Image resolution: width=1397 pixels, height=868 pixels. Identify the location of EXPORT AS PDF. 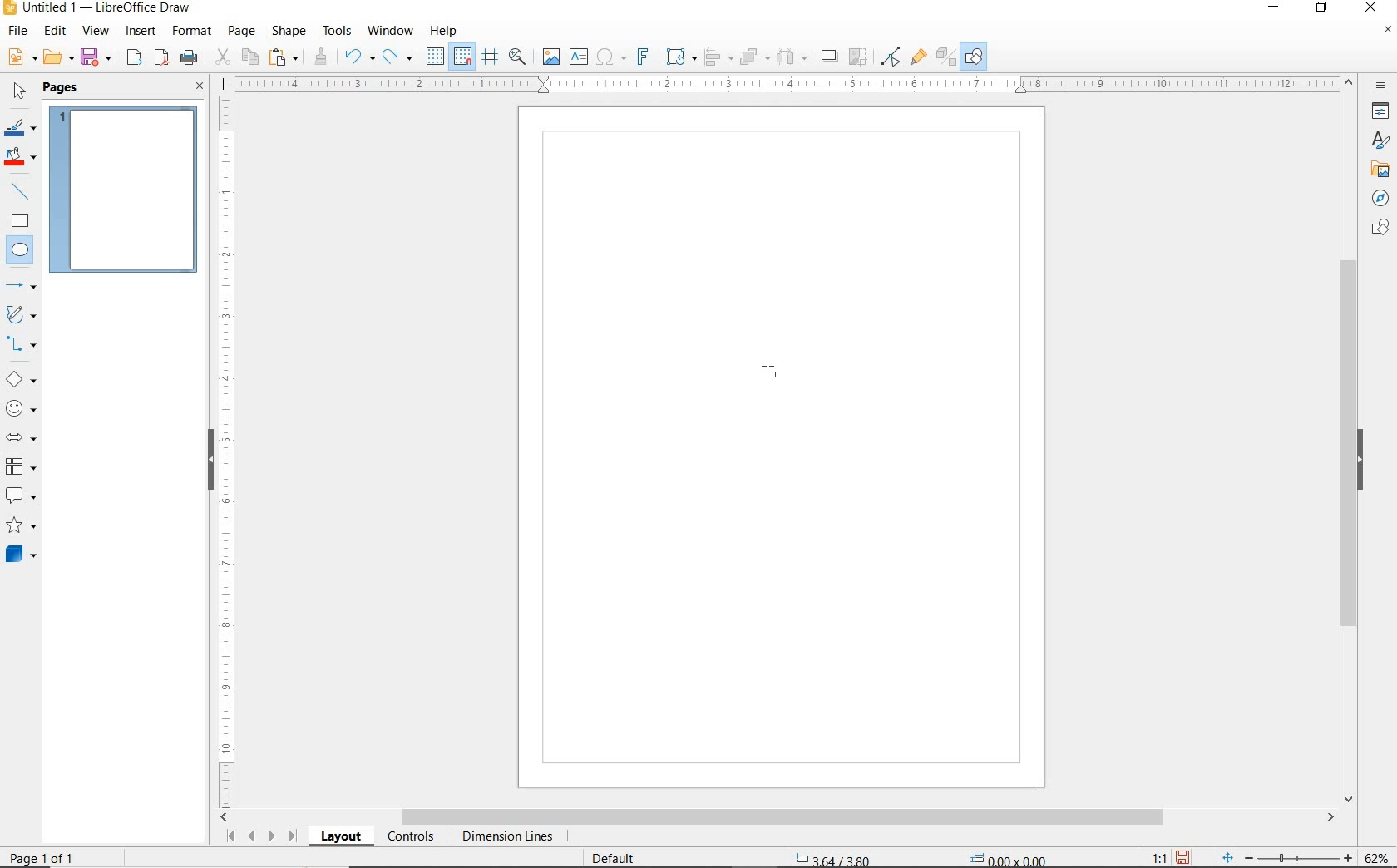
(162, 59).